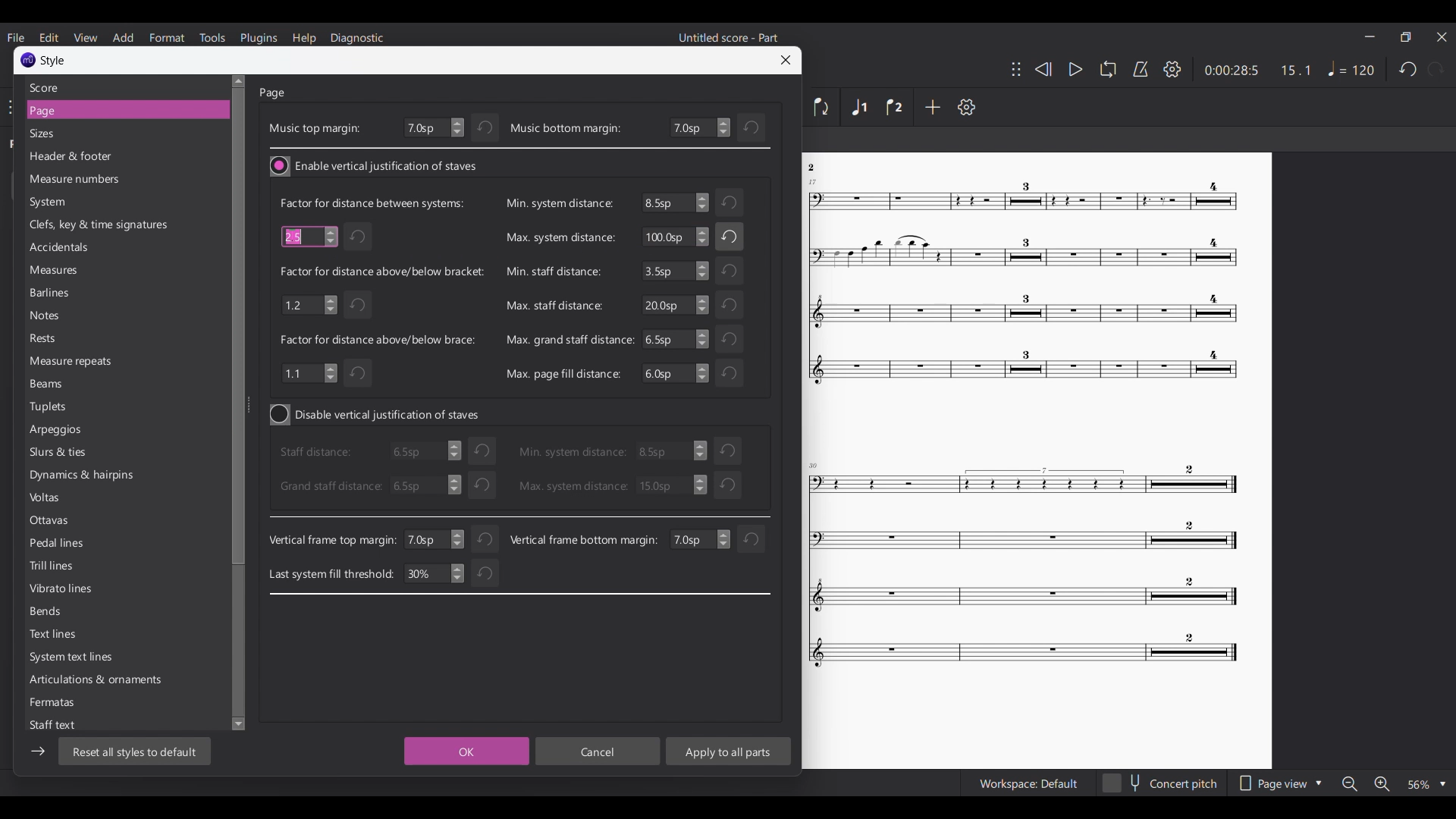 The image size is (1456, 819). I want to click on Min. system distance, so click(572, 451).